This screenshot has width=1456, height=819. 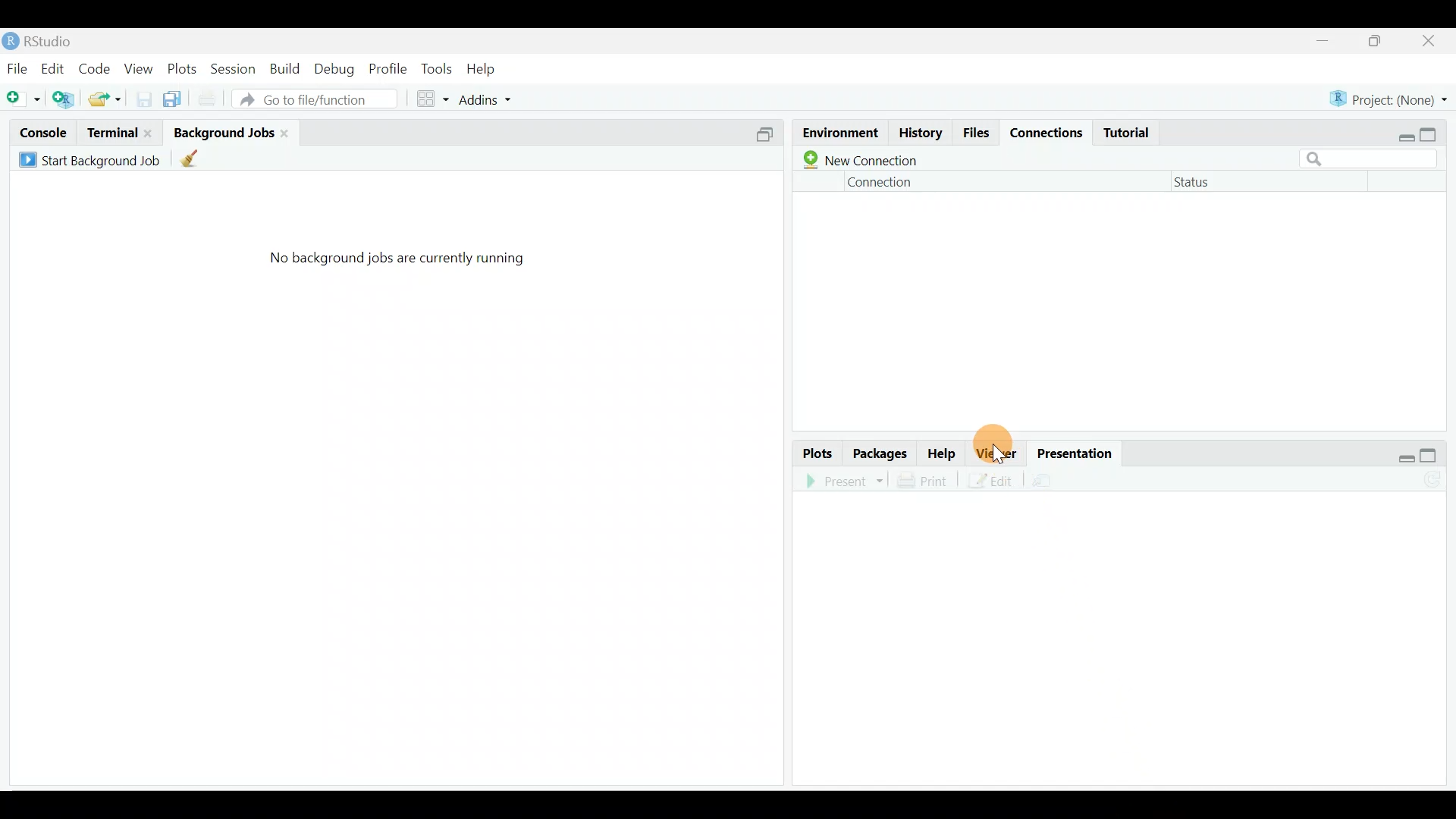 What do you see at coordinates (434, 97) in the screenshot?
I see `Workspace panes` at bounding box center [434, 97].